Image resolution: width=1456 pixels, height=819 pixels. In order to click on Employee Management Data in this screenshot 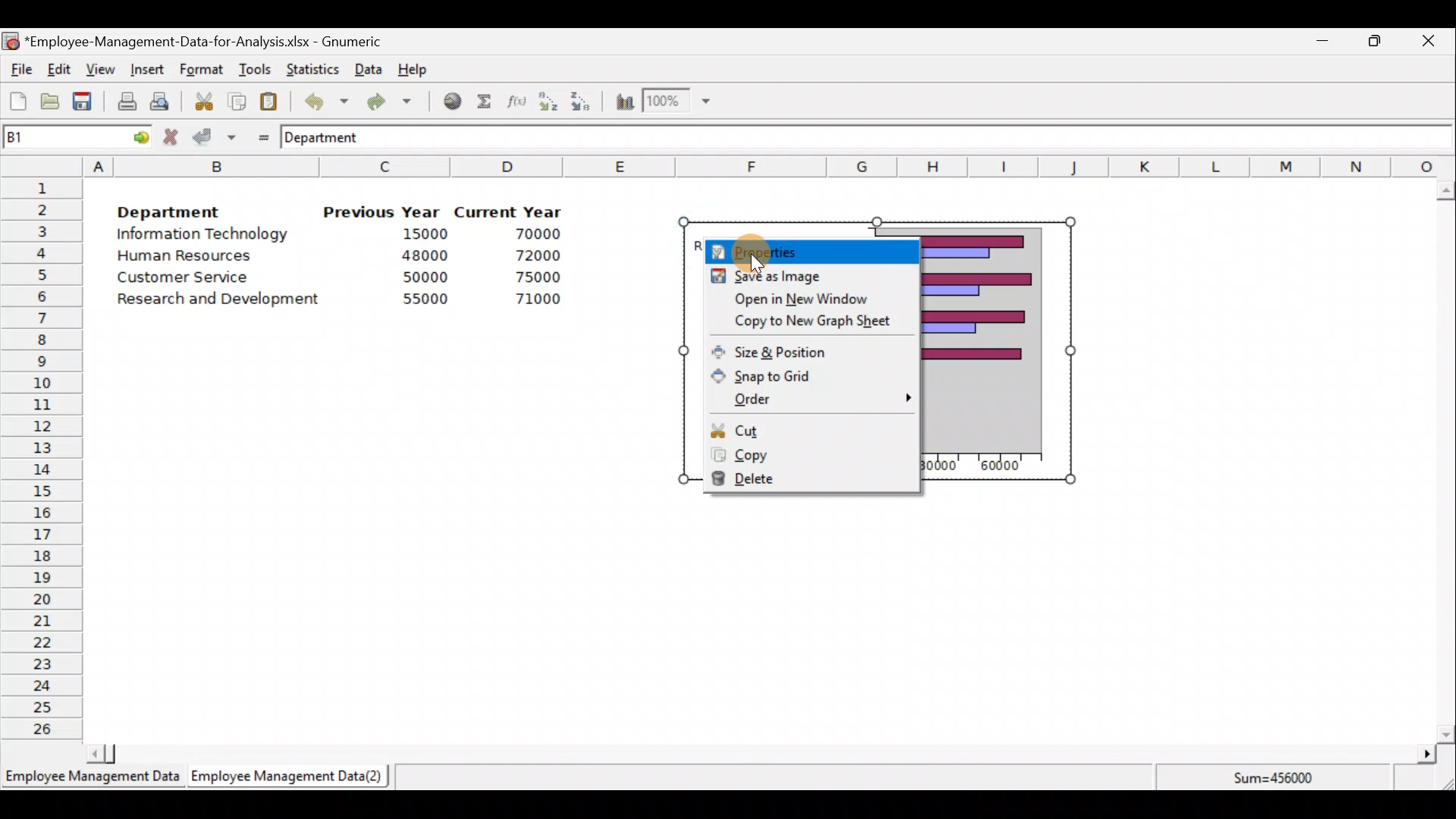, I will do `click(91, 781)`.